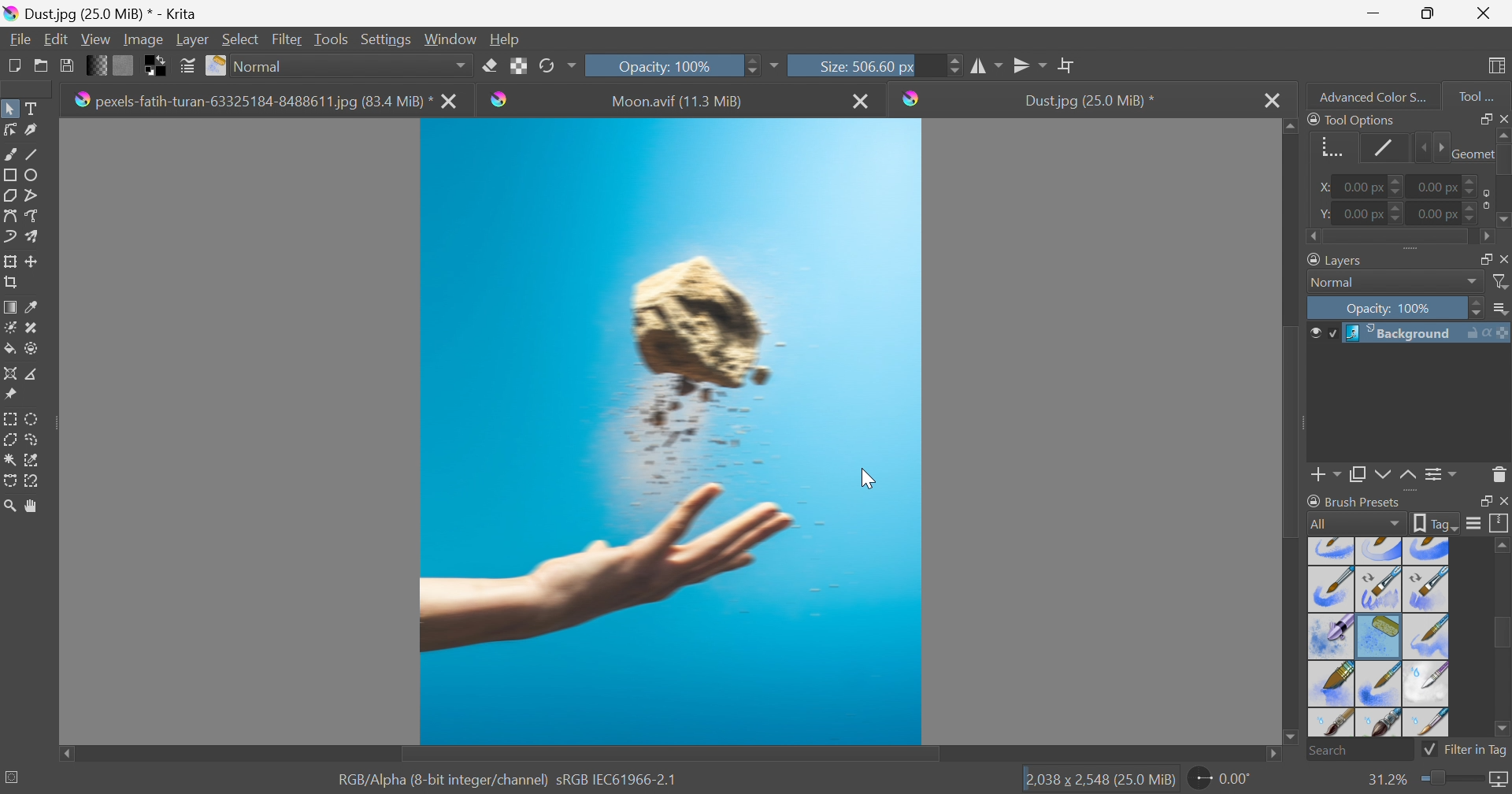 Image resolution: width=1512 pixels, height=794 pixels. Describe the element at coordinates (1368, 95) in the screenshot. I see `Advanced color s...` at that location.